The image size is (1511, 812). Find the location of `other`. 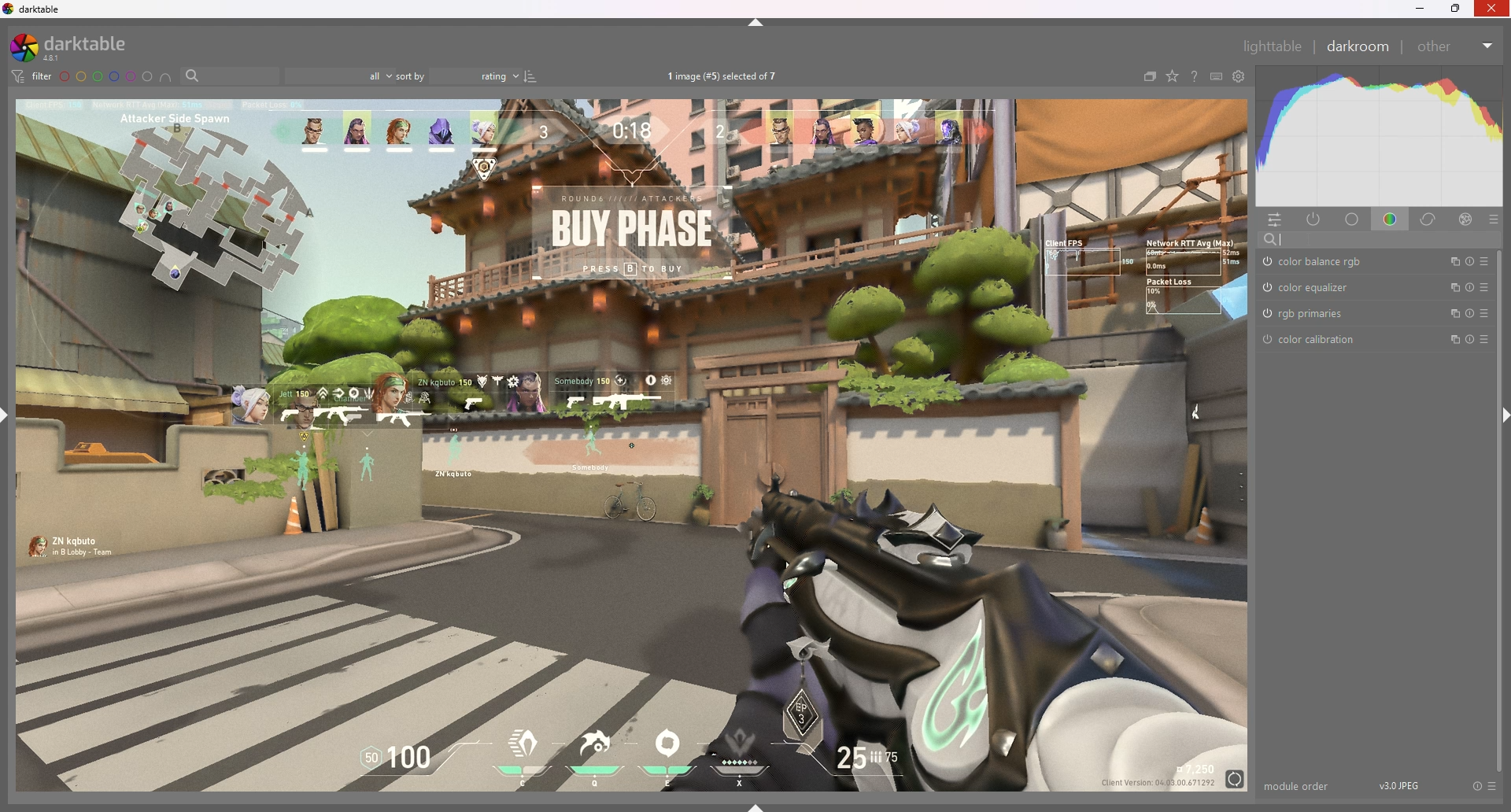

other is located at coordinates (1456, 46).